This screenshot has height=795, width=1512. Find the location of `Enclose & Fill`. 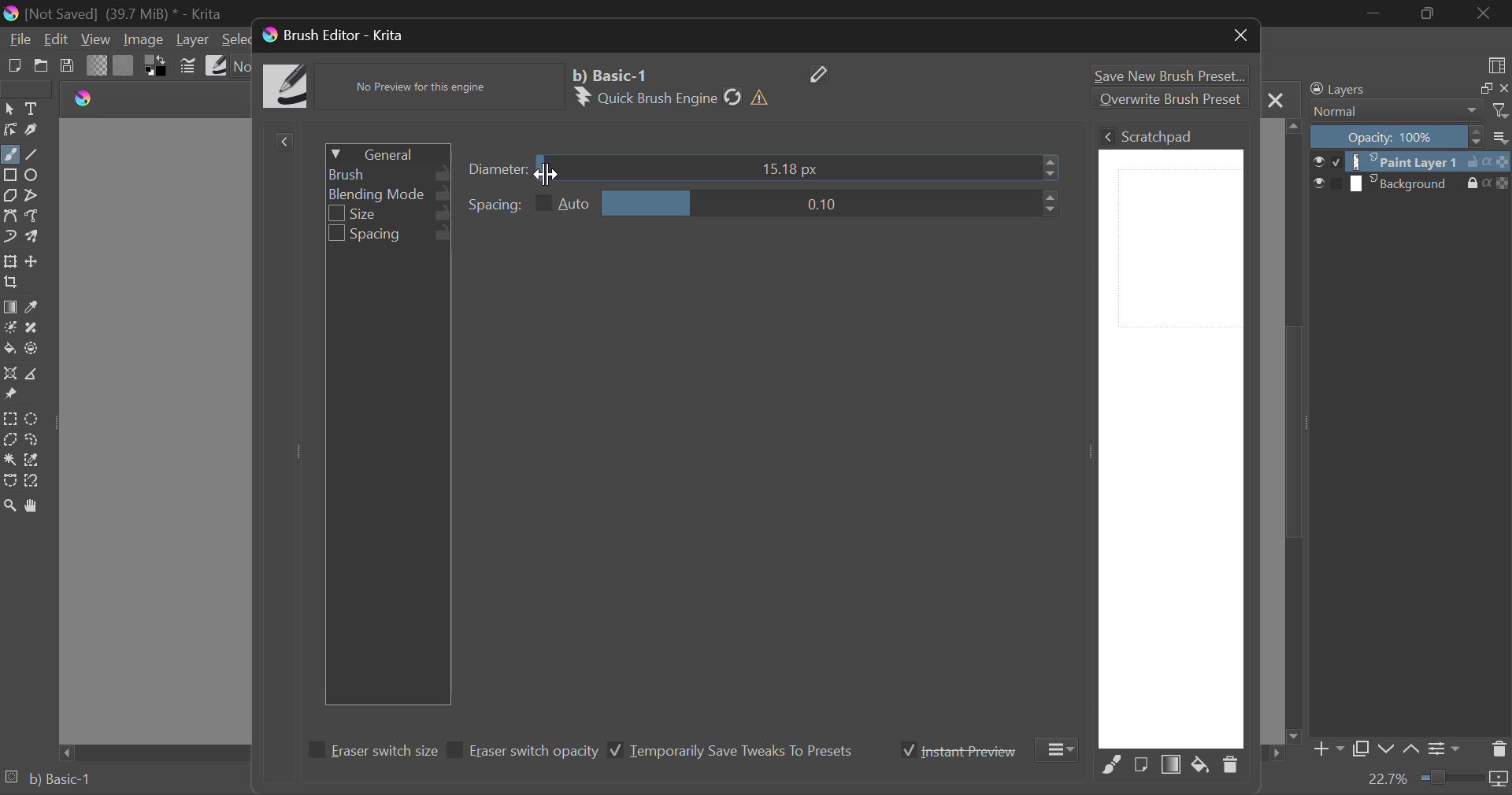

Enclose & Fill is located at coordinates (32, 348).